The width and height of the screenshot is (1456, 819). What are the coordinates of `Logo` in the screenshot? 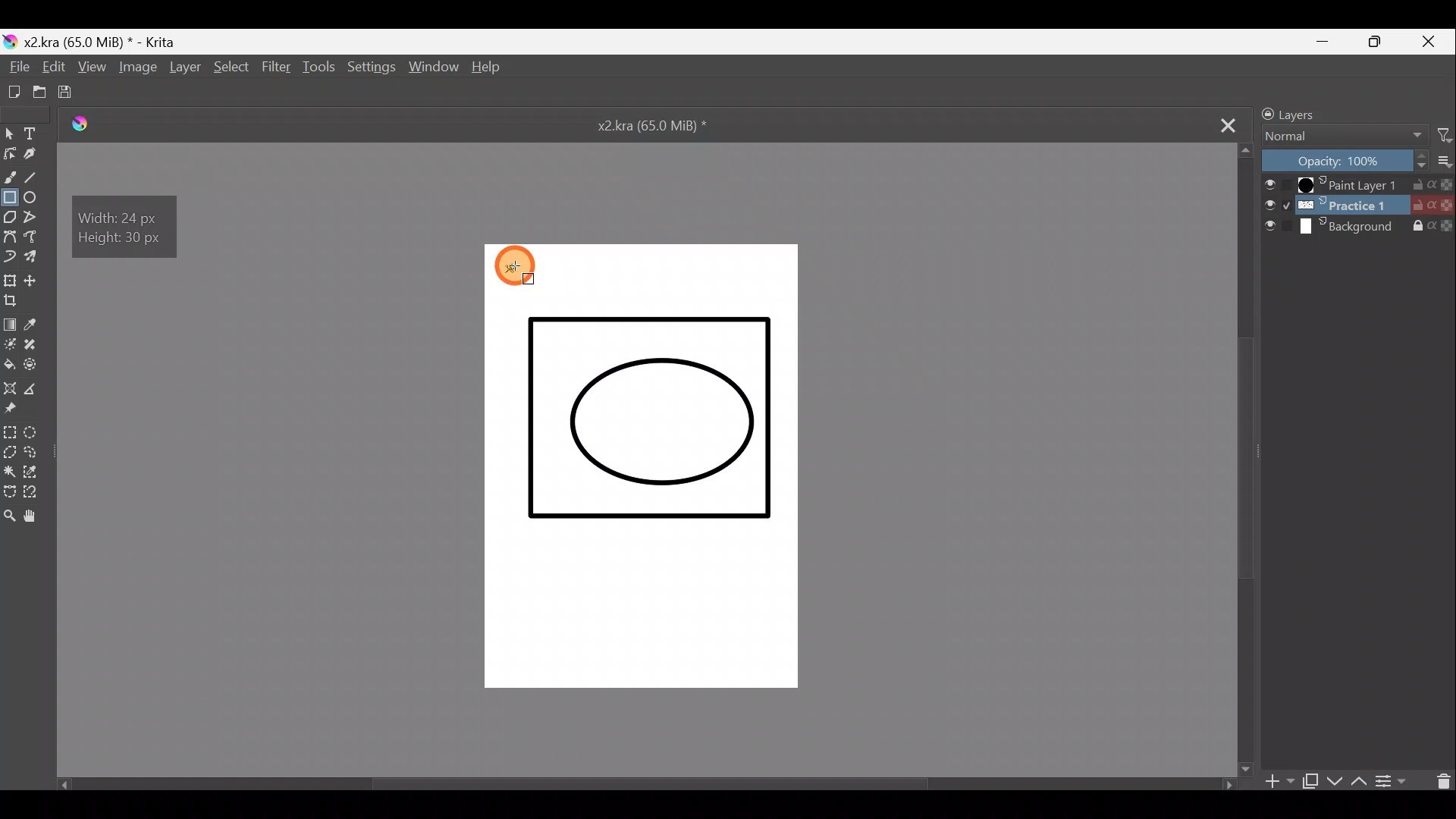 It's located at (74, 120).